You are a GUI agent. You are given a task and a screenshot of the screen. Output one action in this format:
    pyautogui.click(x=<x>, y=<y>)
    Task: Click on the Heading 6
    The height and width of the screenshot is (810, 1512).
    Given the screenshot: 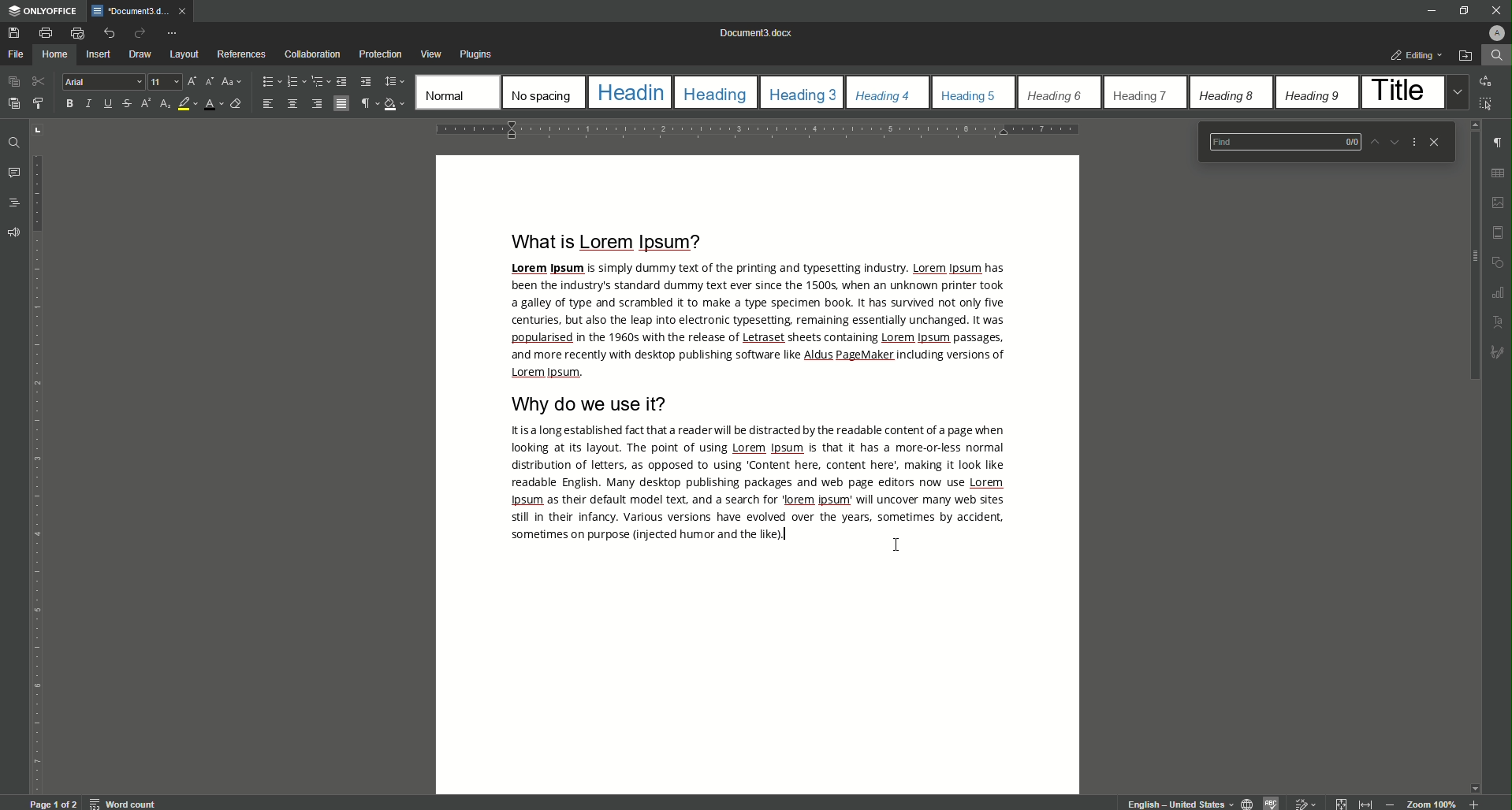 What is the action you would take?
    pyautogui.click(x=1055, y=95)
    